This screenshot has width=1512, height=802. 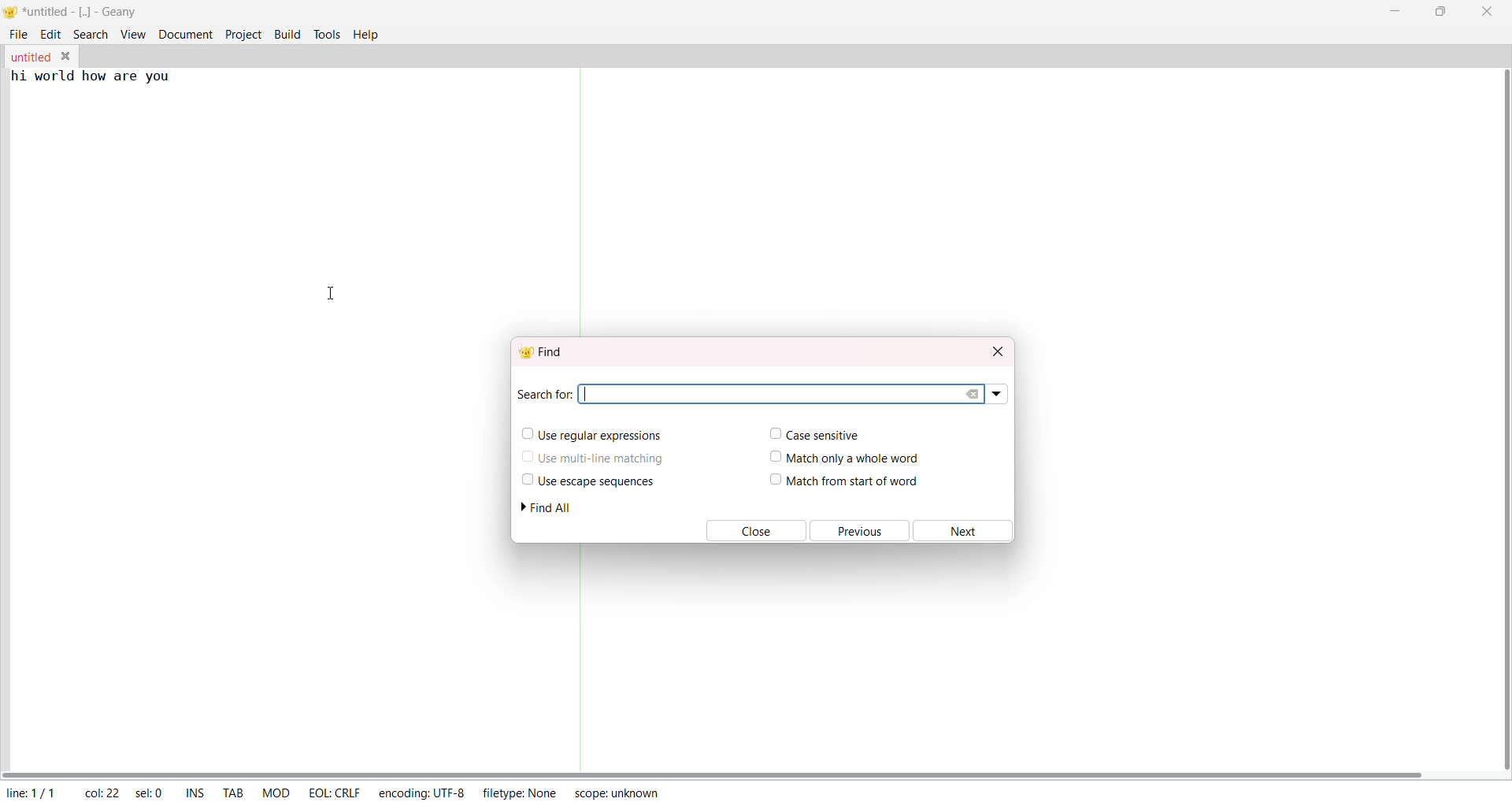 I want to click on minimize, so click(x=1393, y=10).